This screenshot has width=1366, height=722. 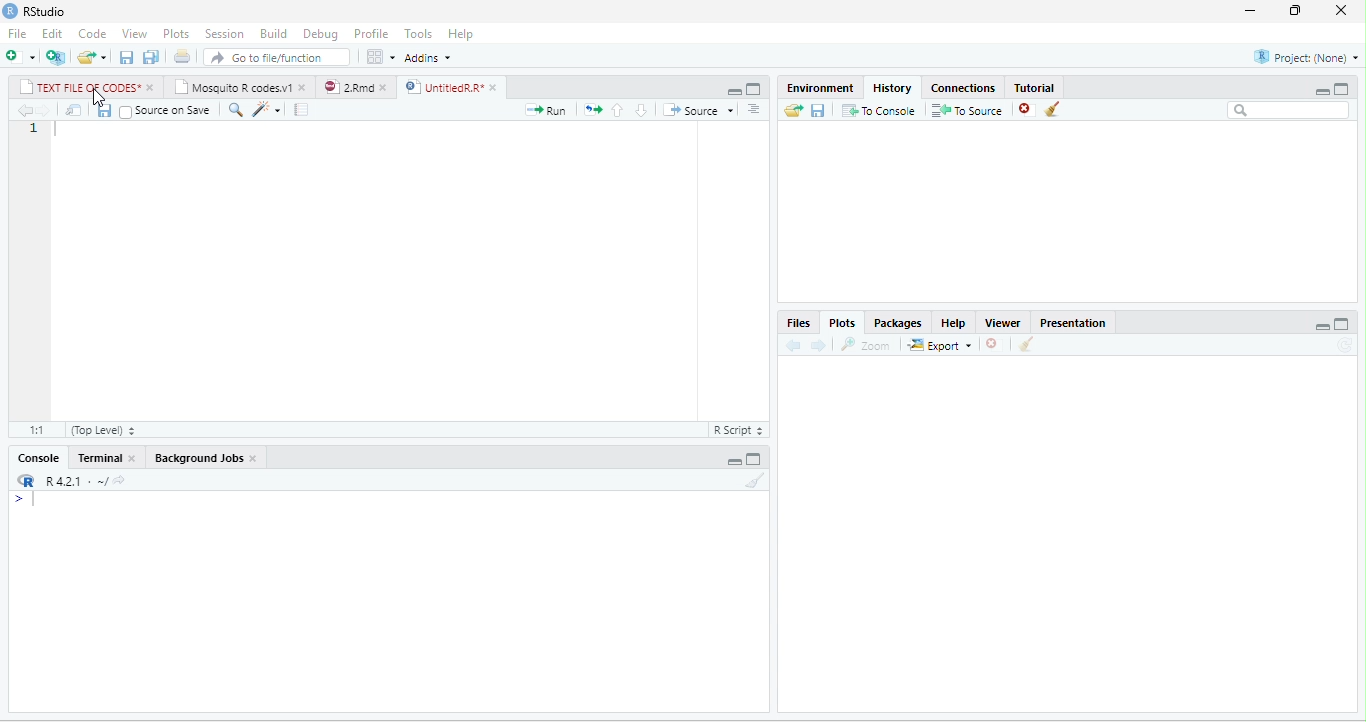 I want to click on TEXT FILE OF CODES, so click(x=79, y=86).